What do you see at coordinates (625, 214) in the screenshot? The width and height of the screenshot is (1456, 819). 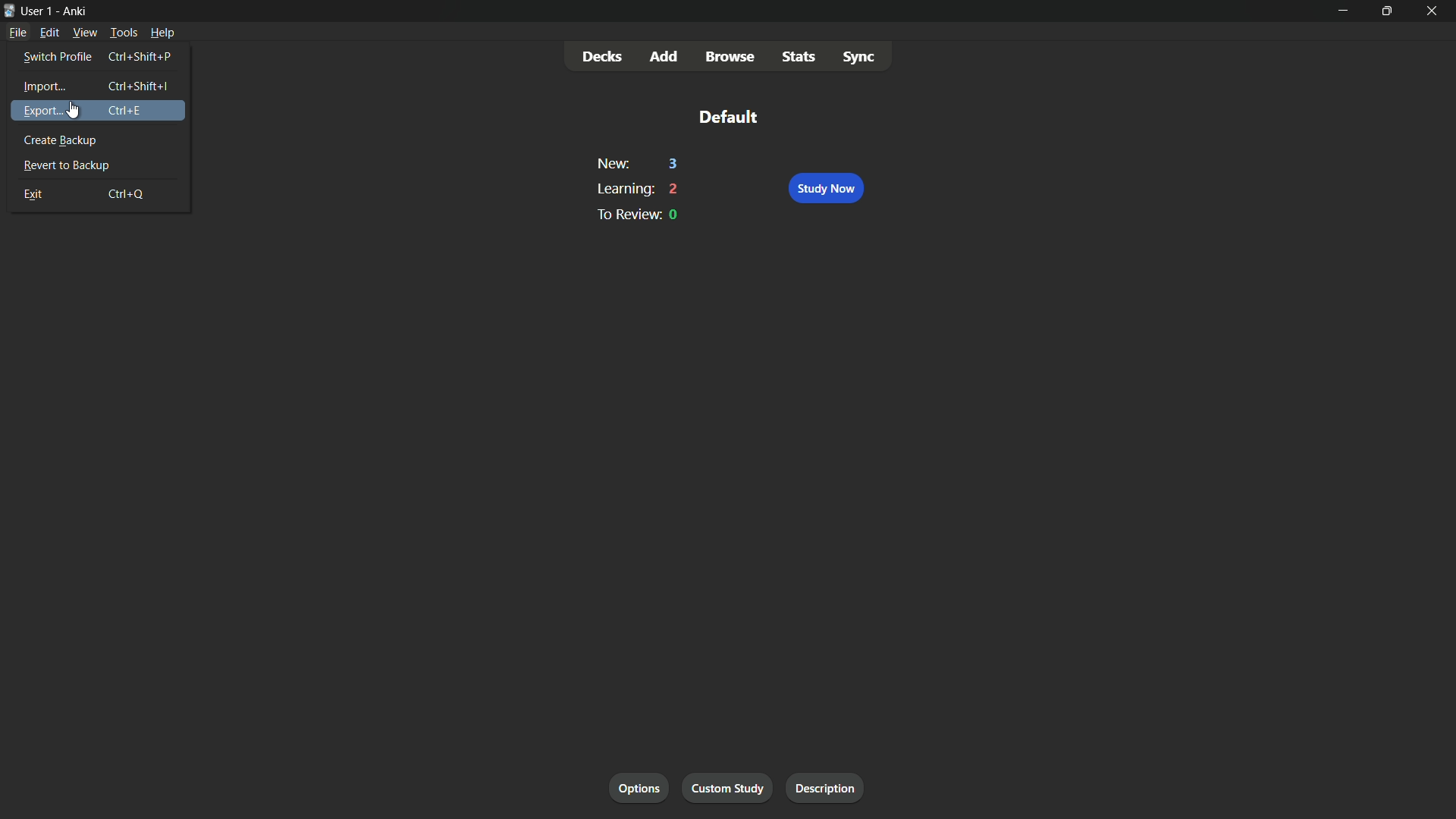 I see `to review` at bounding box center [625, 214].